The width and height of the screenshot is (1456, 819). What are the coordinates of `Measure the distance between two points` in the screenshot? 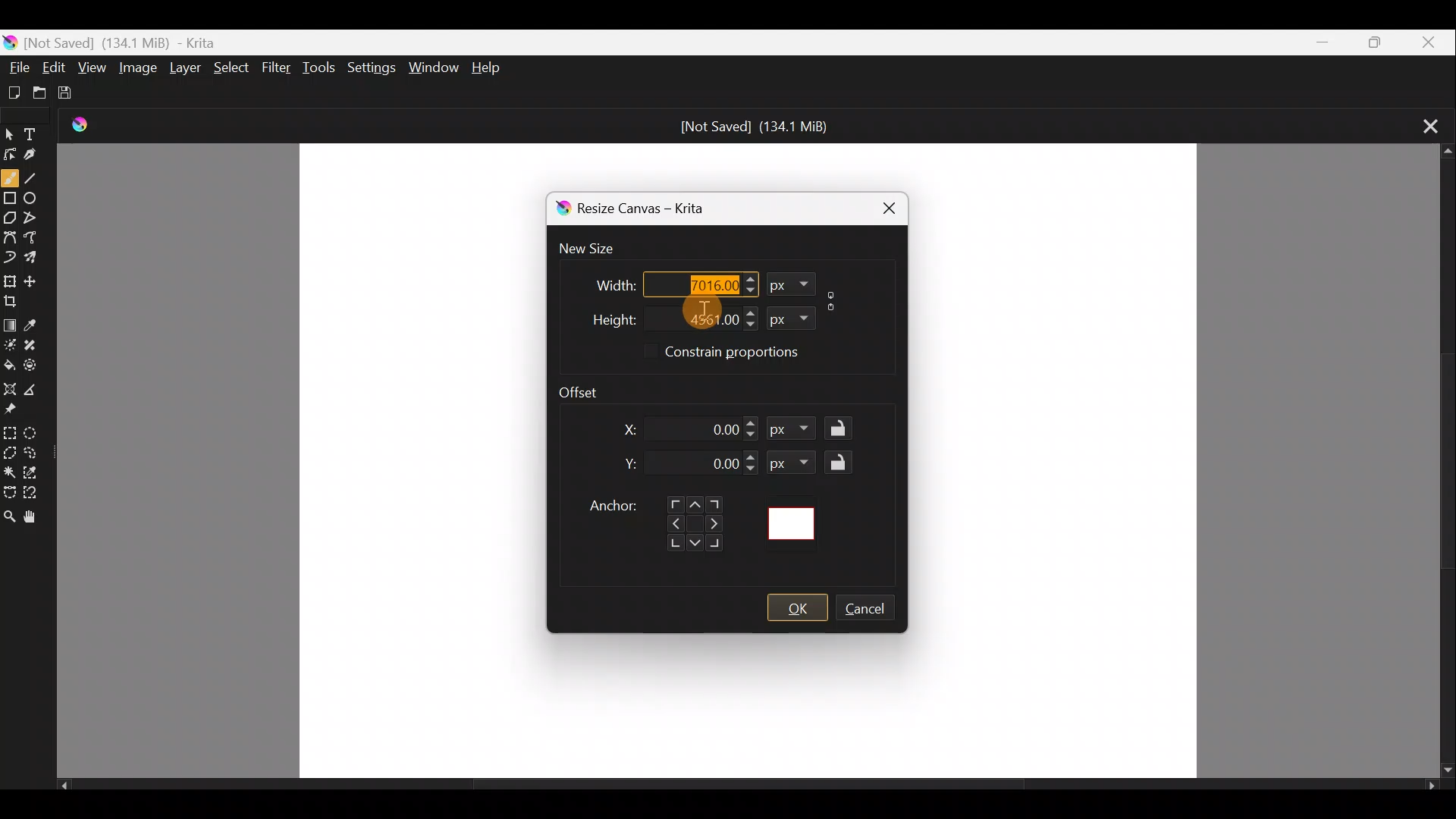 It's located at (35, 391).